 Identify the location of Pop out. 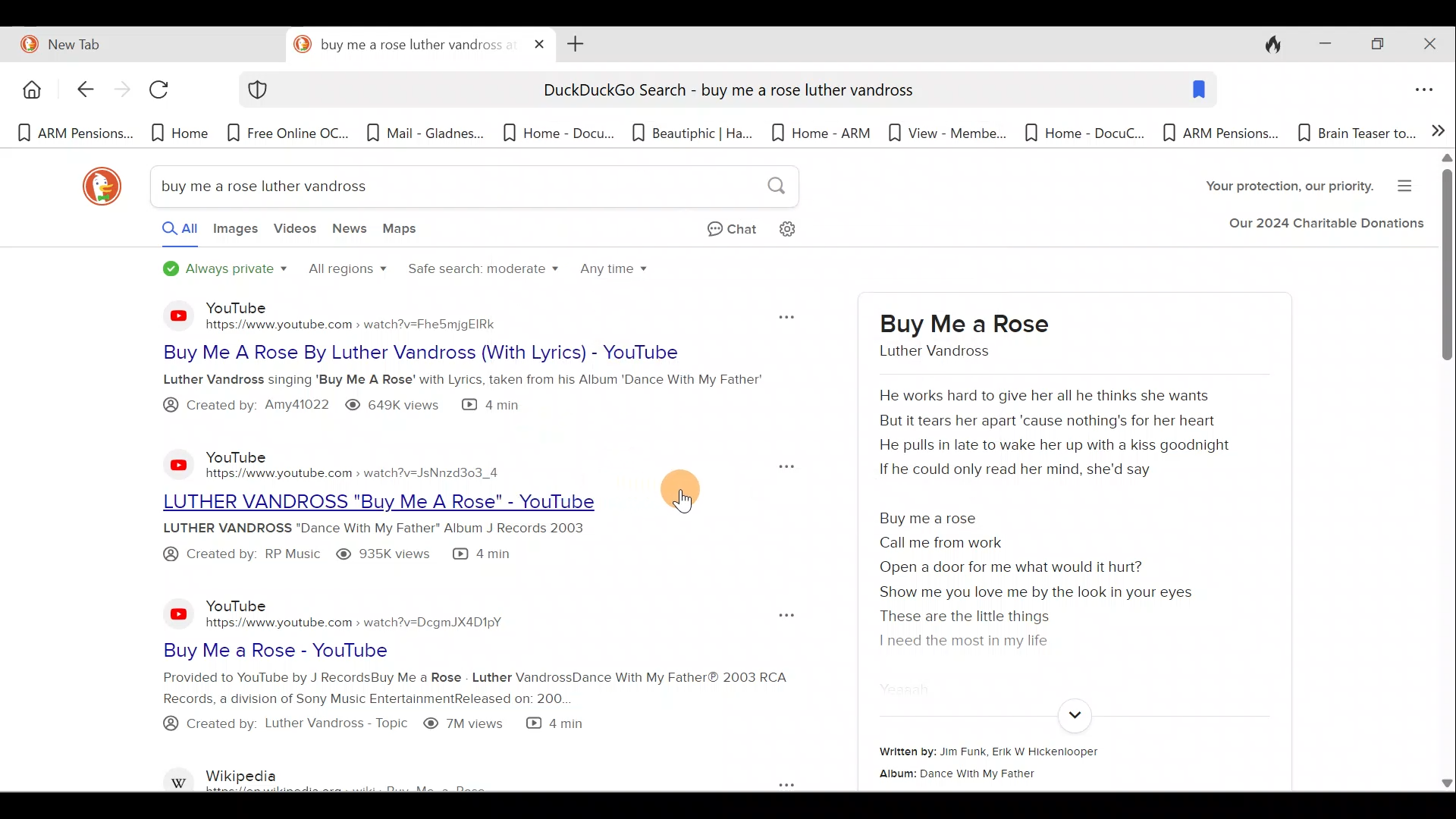
(782, 616).